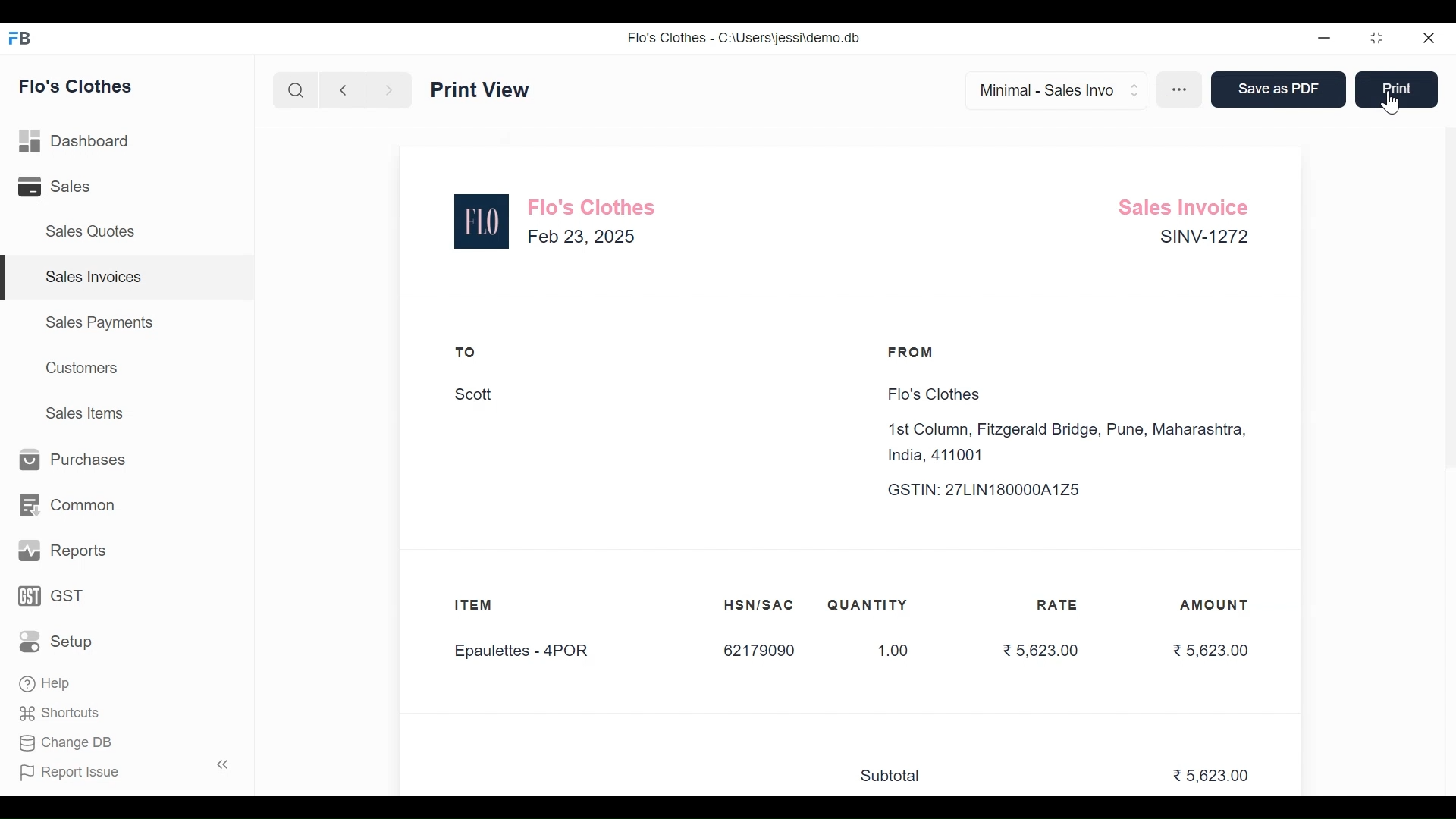 The image size is (1456, 819). What do you see at coordinates (20, 38) in the screenshot?
I see `Frappe Books Desktop Icon` at bounding box center [20, 38].